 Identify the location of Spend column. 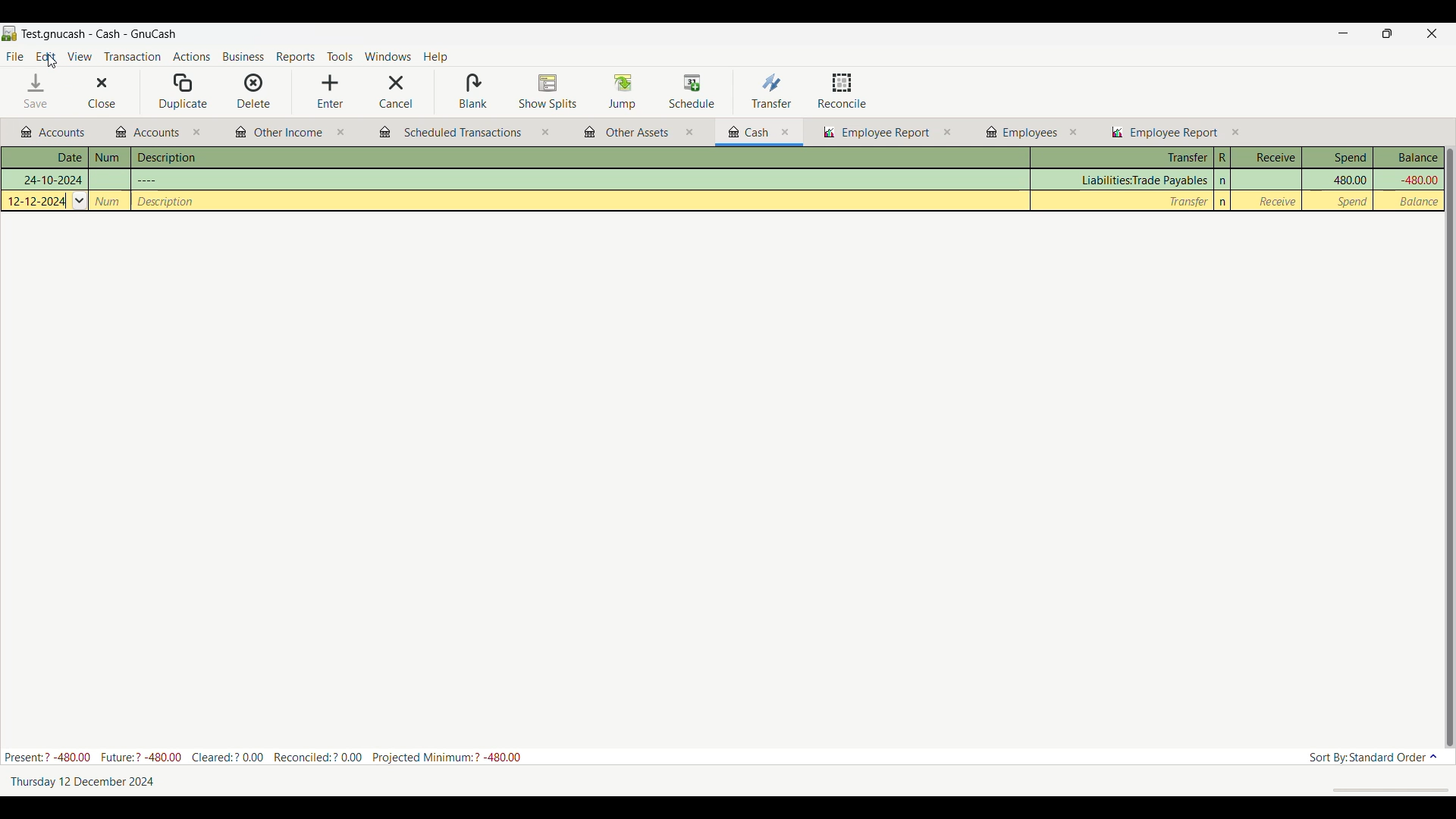
(1349, 179).